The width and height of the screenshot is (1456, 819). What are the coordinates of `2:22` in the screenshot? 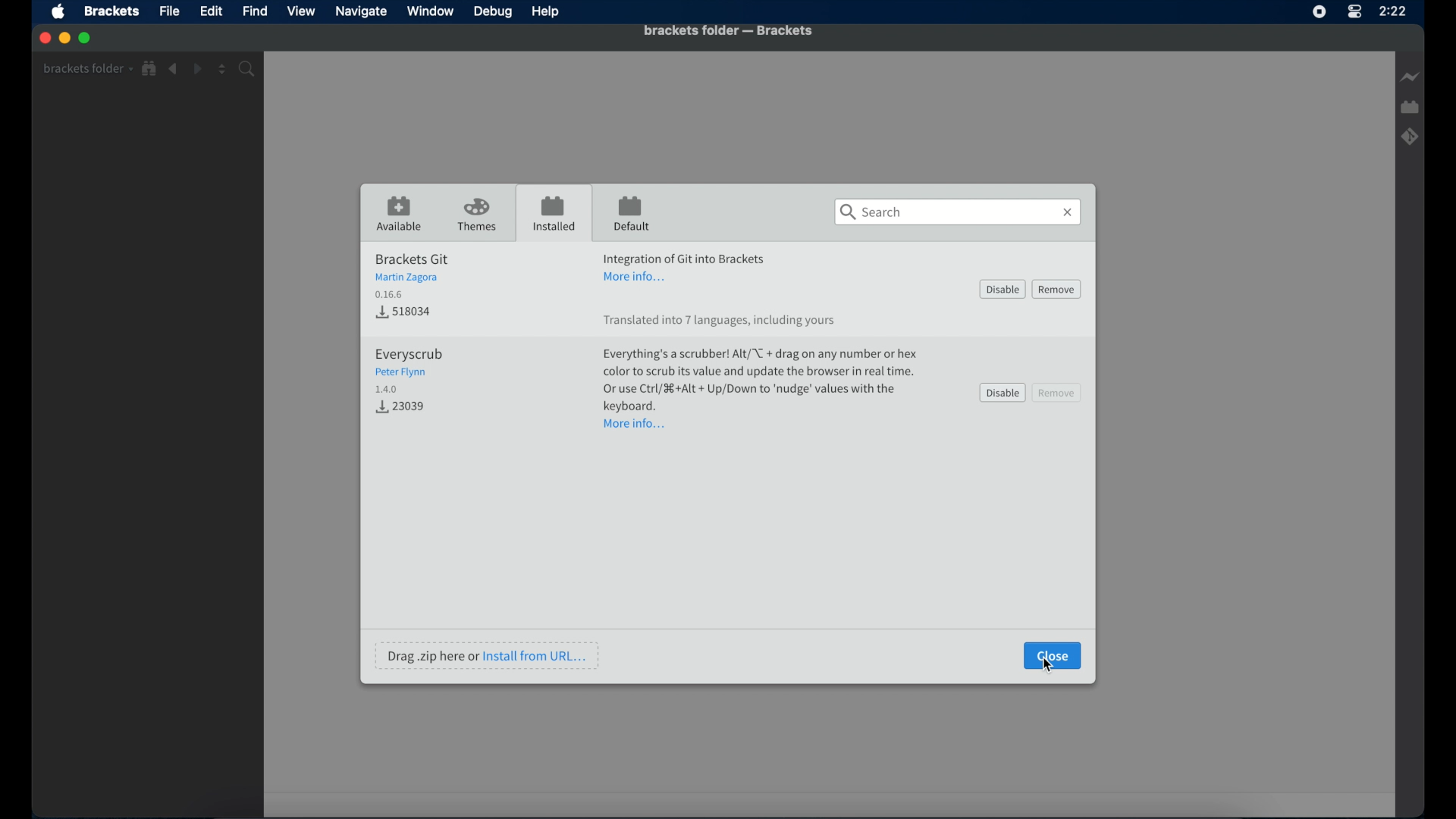 It's located at (1398, 15).